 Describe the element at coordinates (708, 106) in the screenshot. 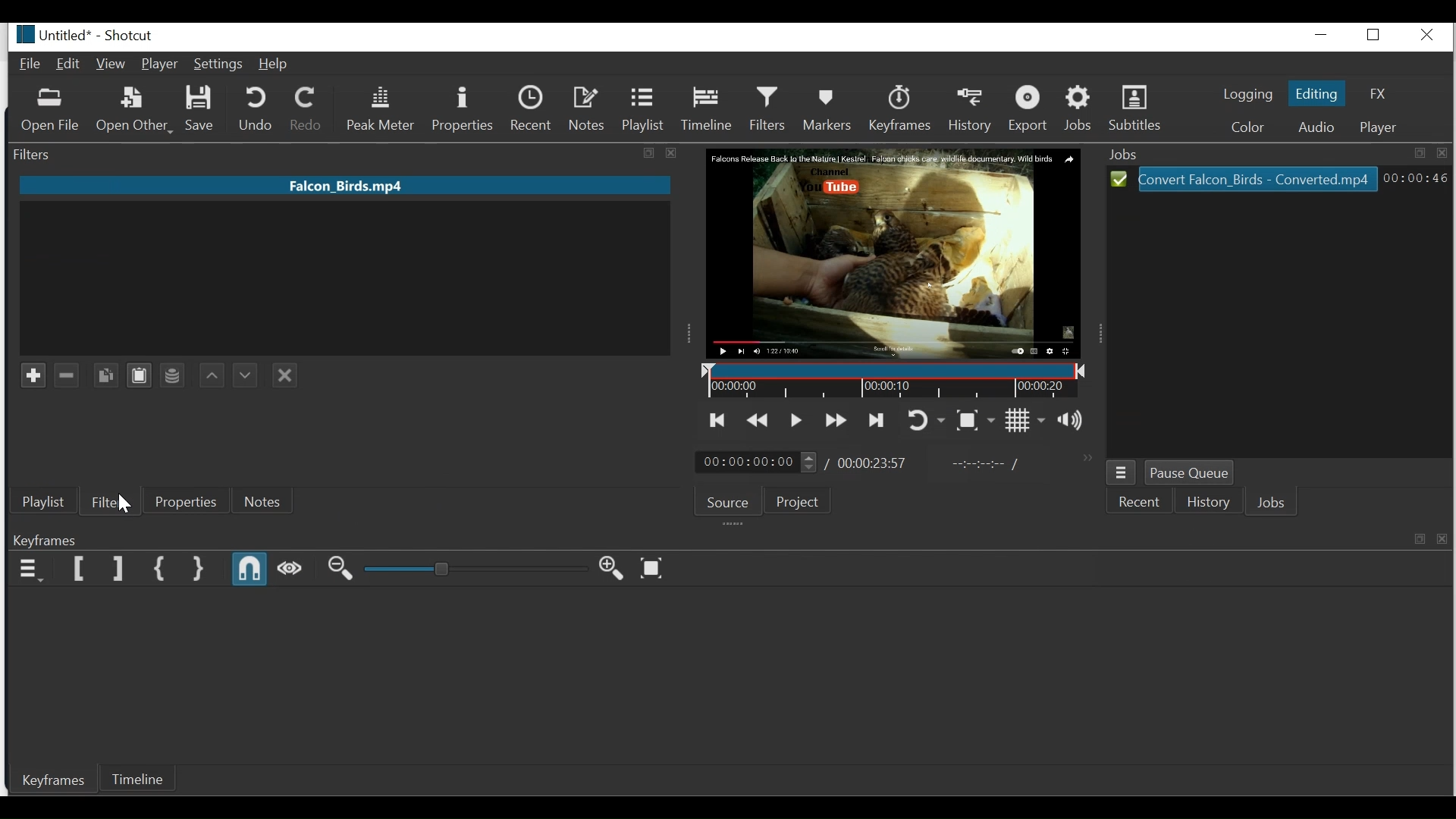

I see `Timeline` at that location.